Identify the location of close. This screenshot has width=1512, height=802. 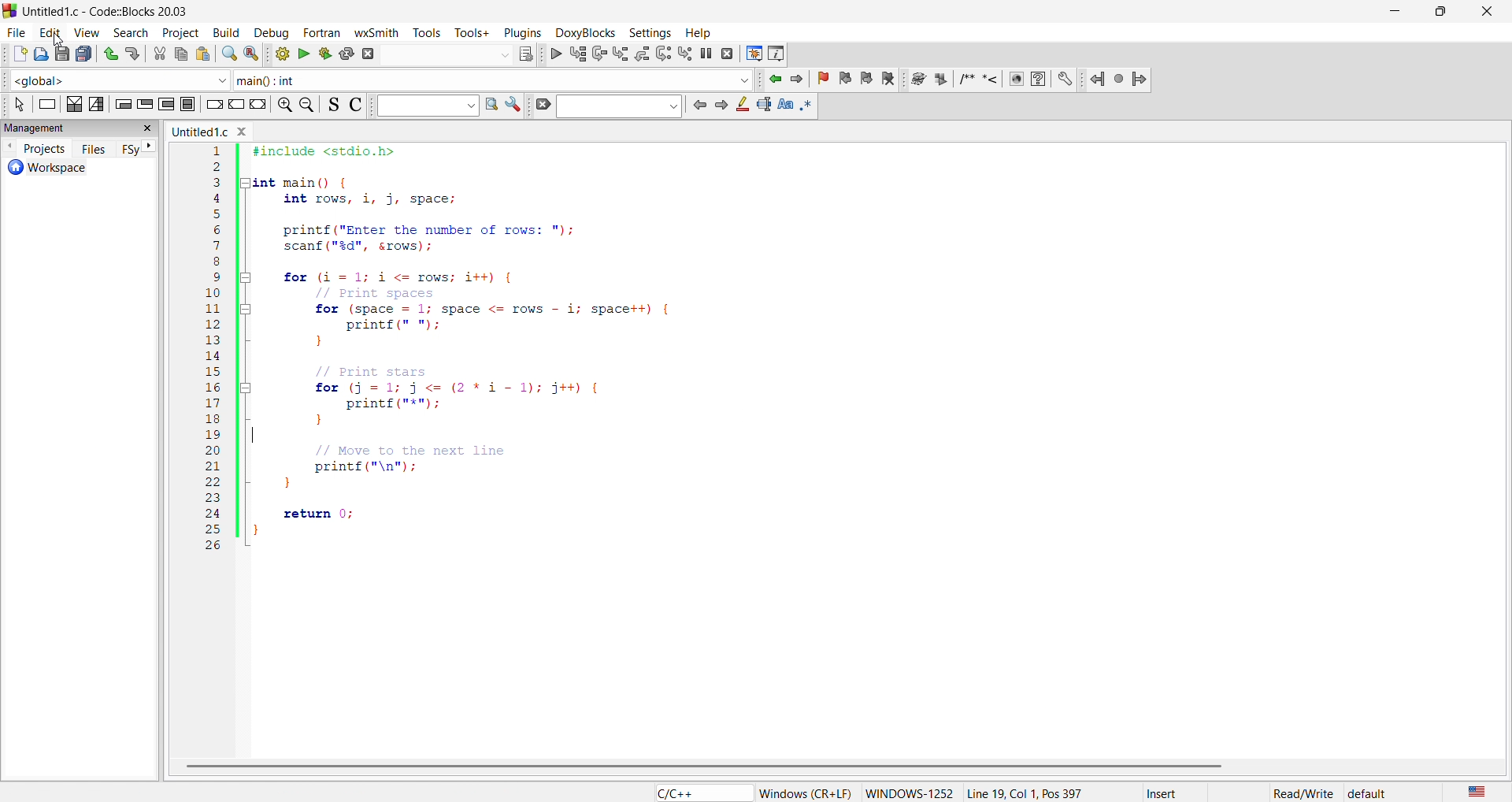
(1483, 11).